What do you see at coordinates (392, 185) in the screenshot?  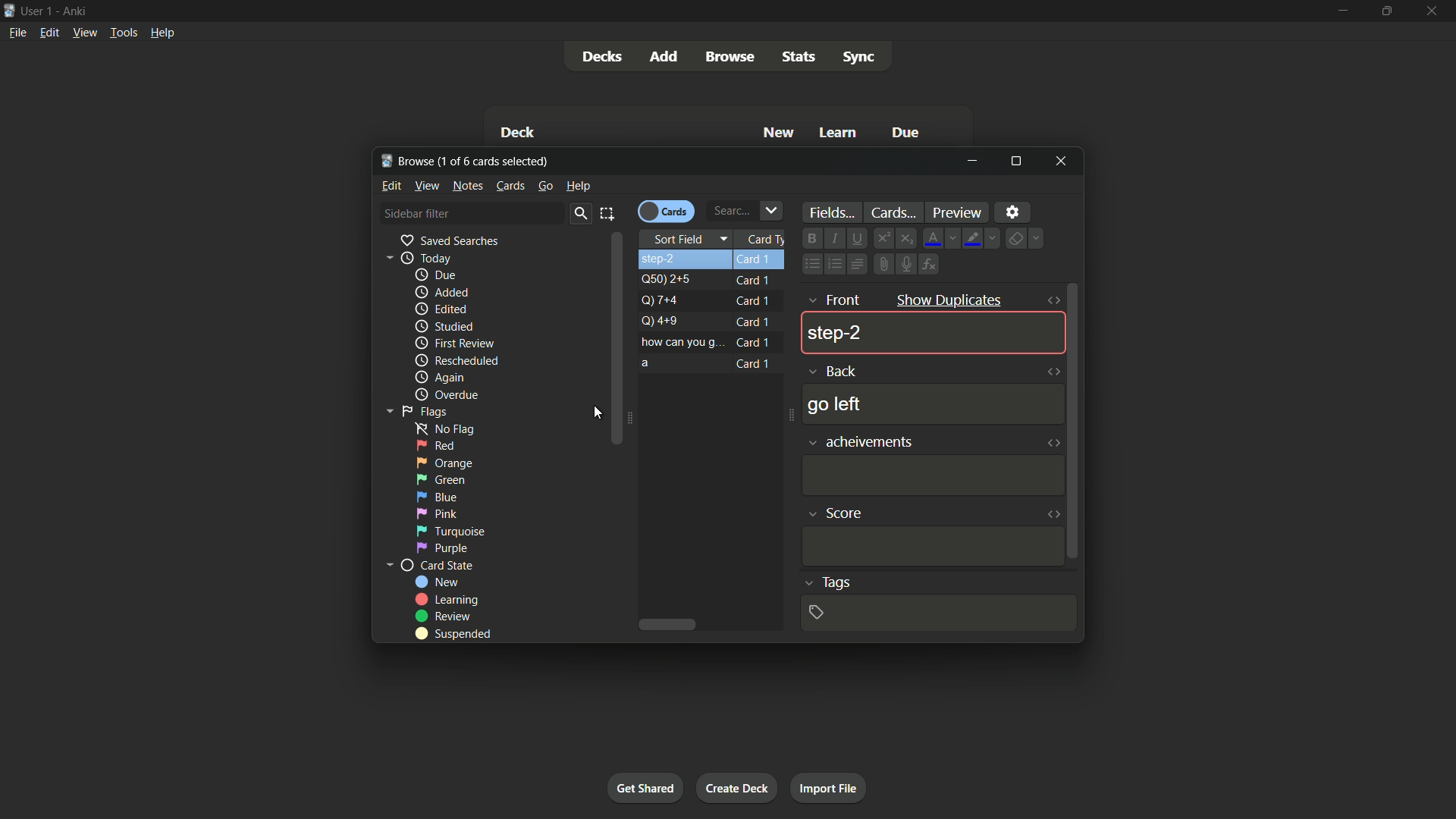 I see `Edit` at bounding box center [392, 185].